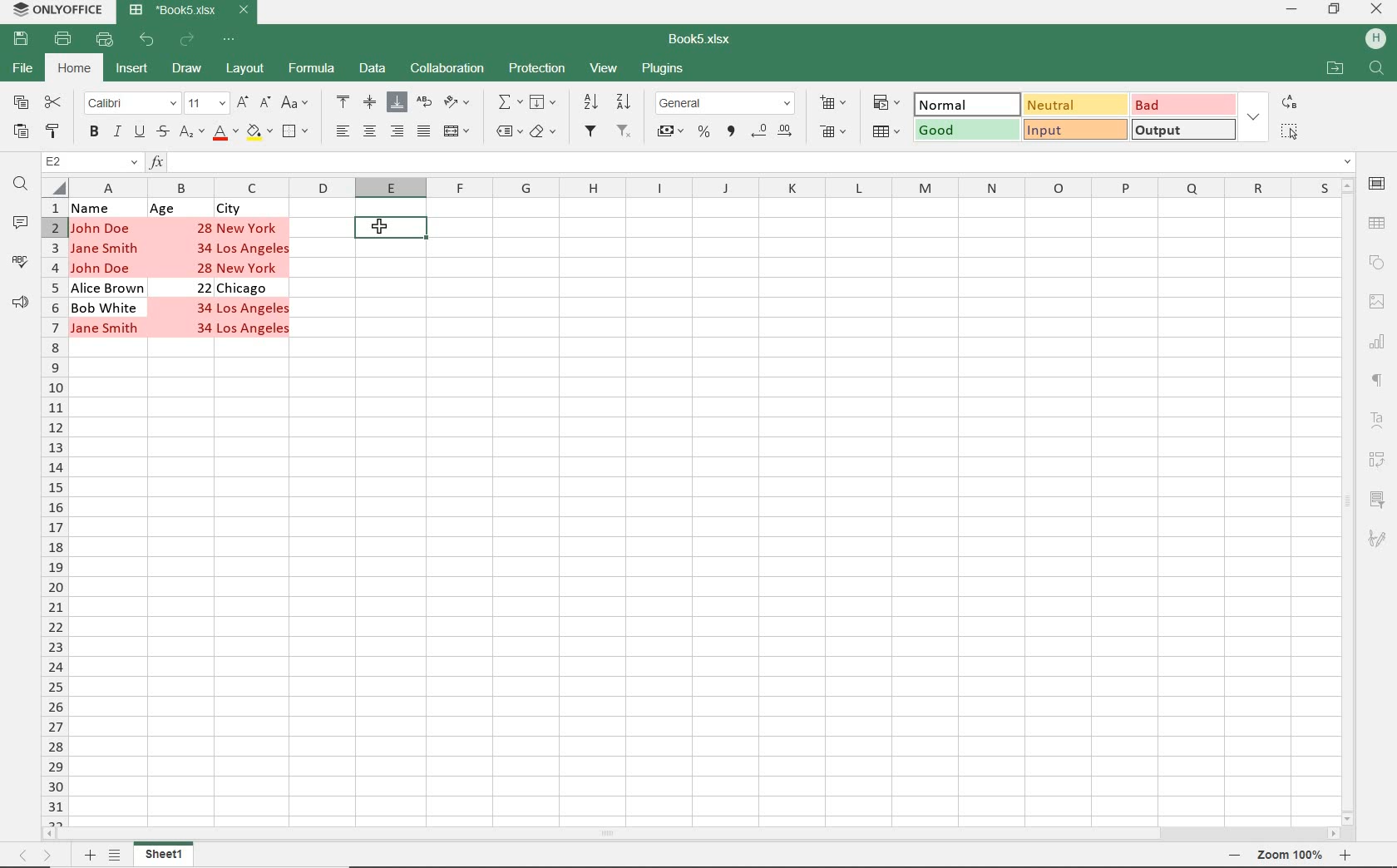 This screenshot has width=1397, height=868. I want to click on SYSTEM NAME, so click(56, 9).